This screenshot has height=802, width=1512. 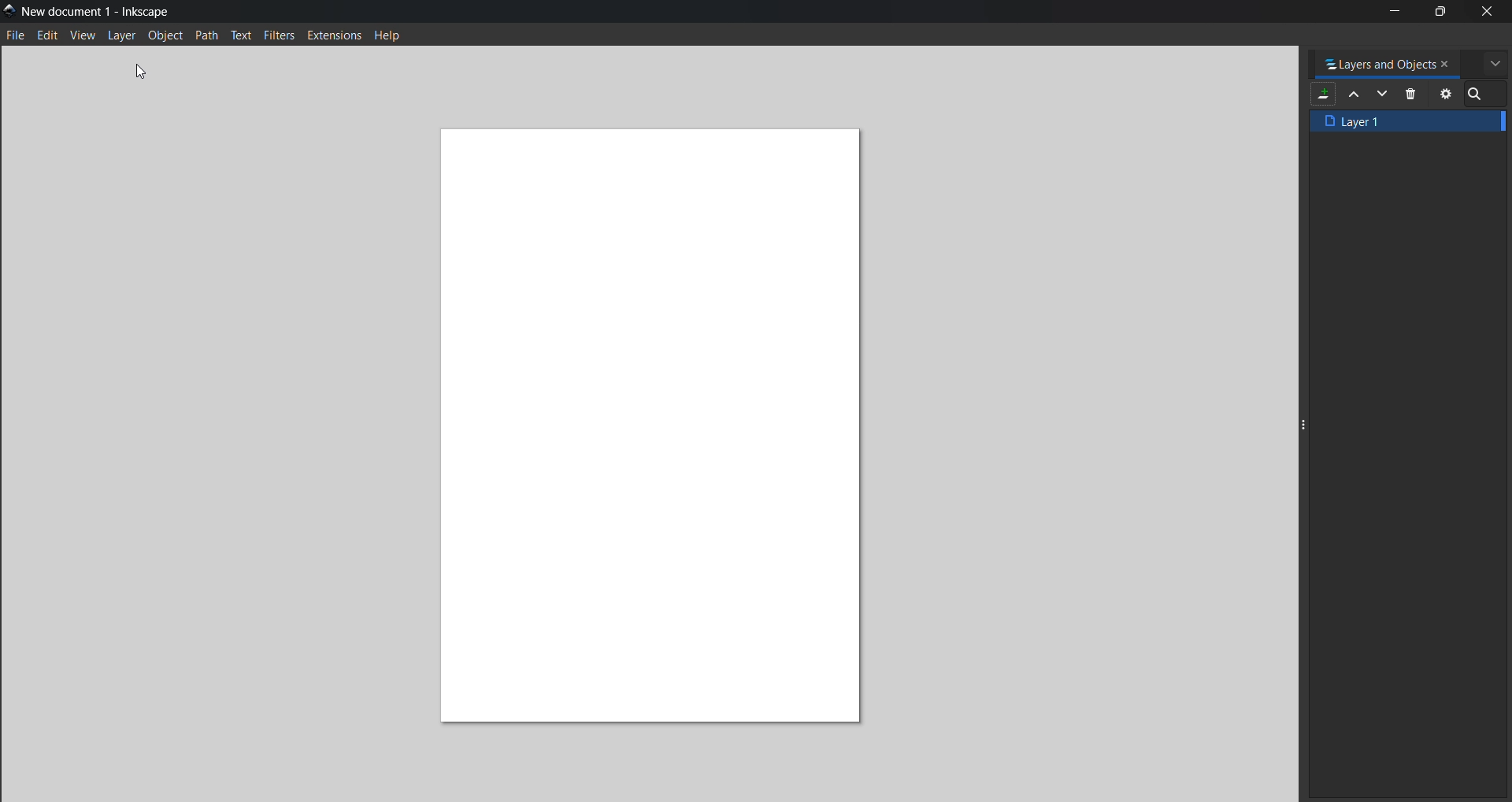 What do you see at coordinates (1449, 62) in the screenshot?
I see `close tab` at bounding box center [1449, 62].